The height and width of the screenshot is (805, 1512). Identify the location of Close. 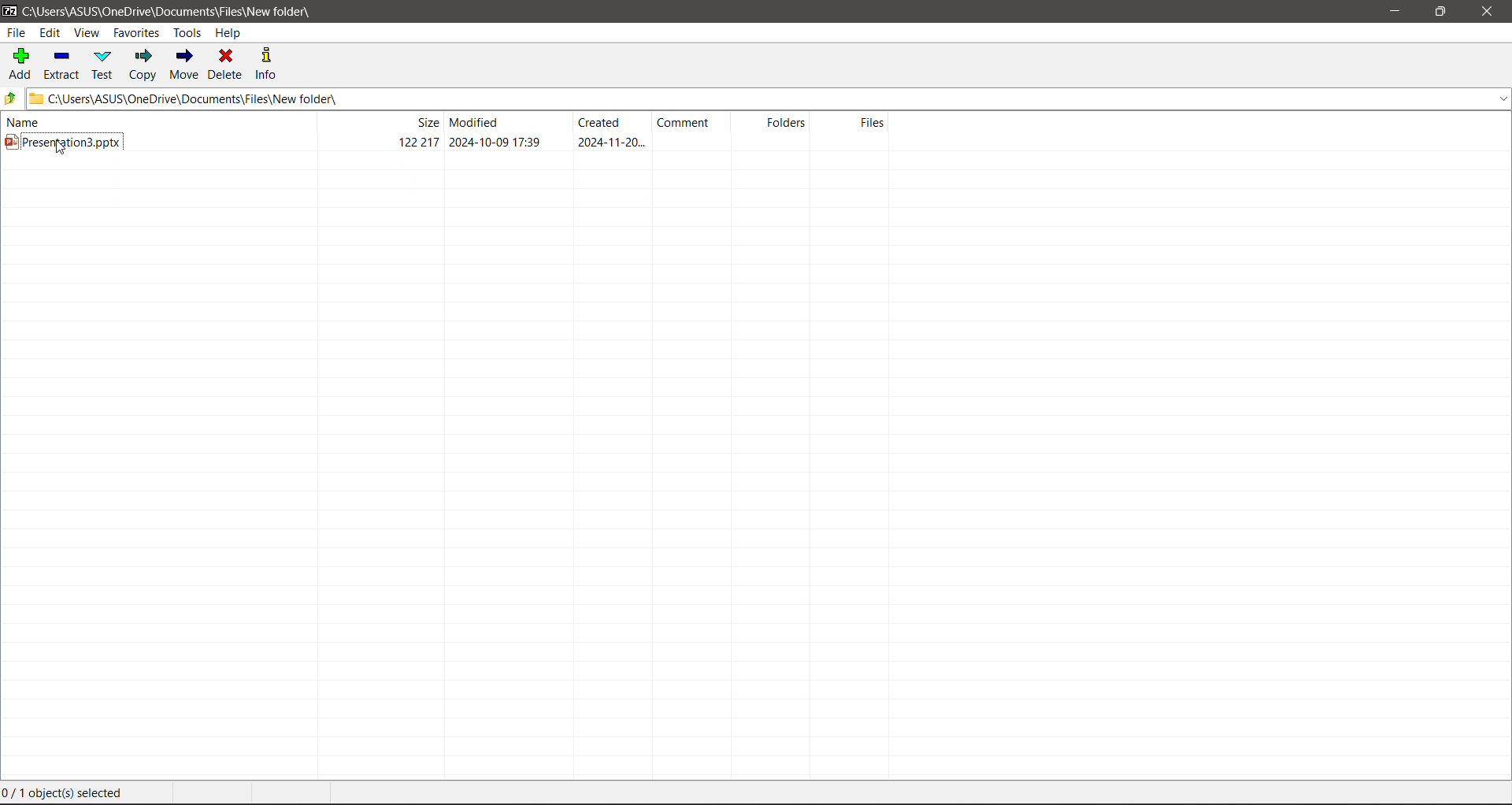
(1492, 12).